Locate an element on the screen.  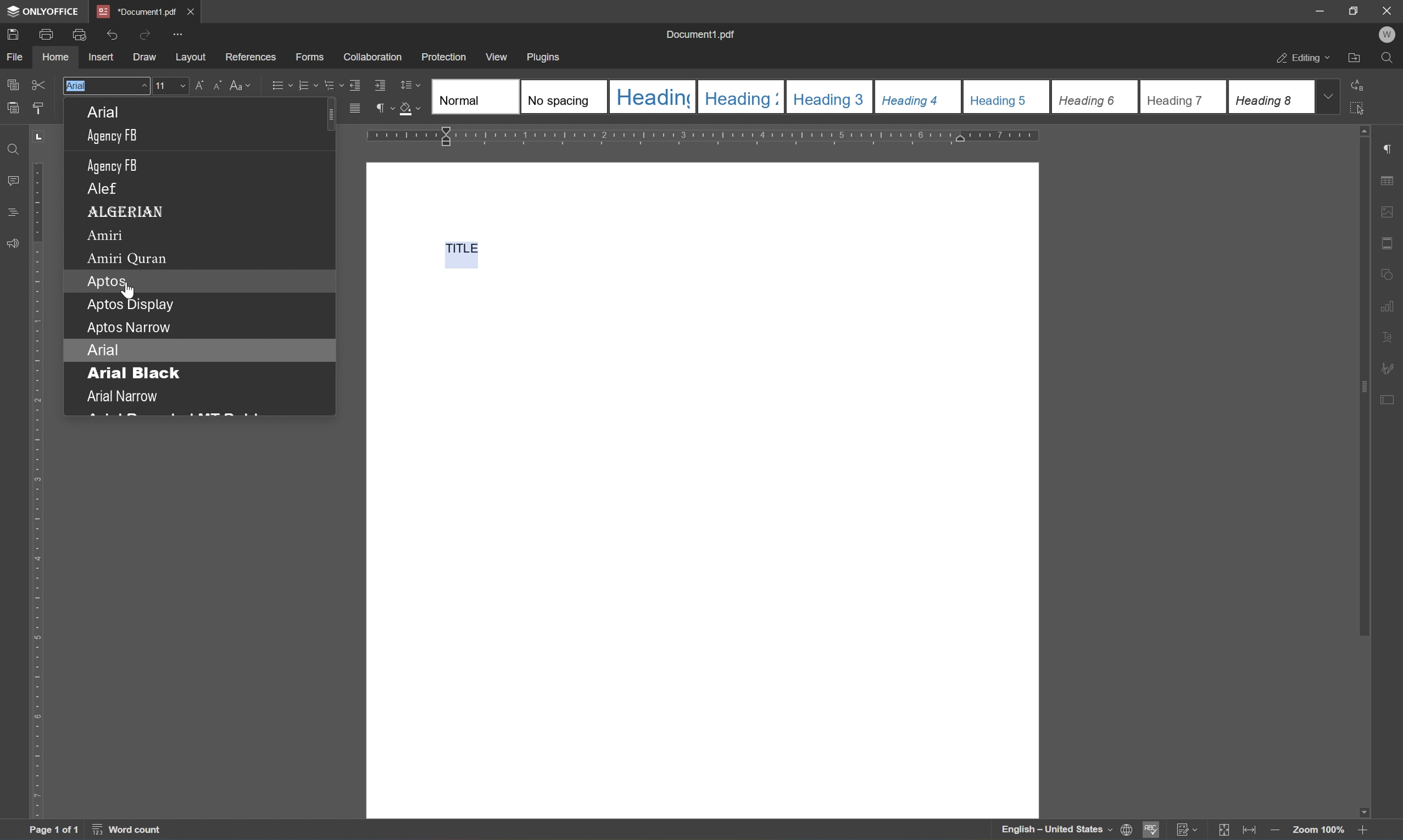
AGENCY FB is located at coordinates (117, 168).